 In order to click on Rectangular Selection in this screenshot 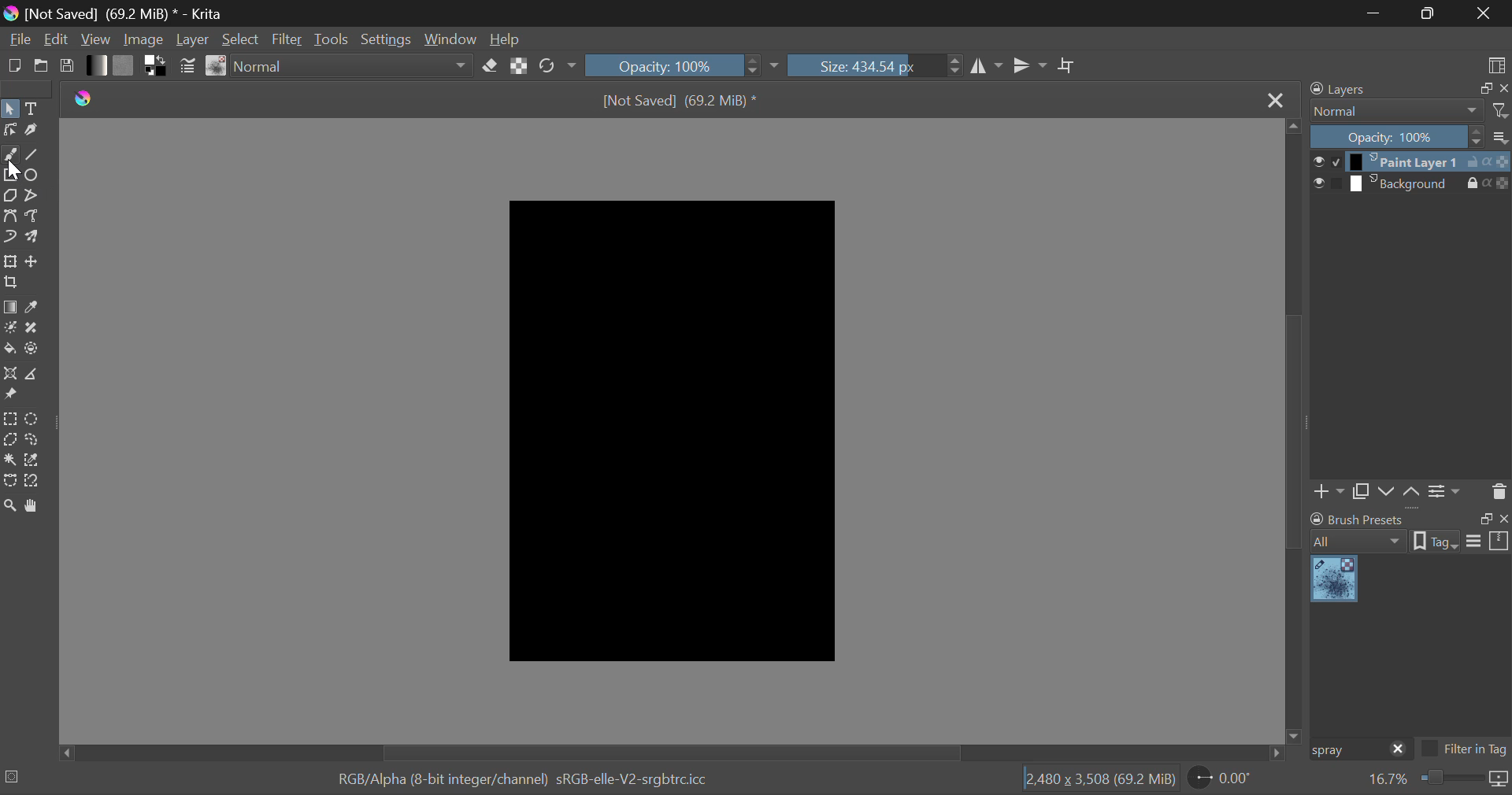, I will do `click(10, 420)`.